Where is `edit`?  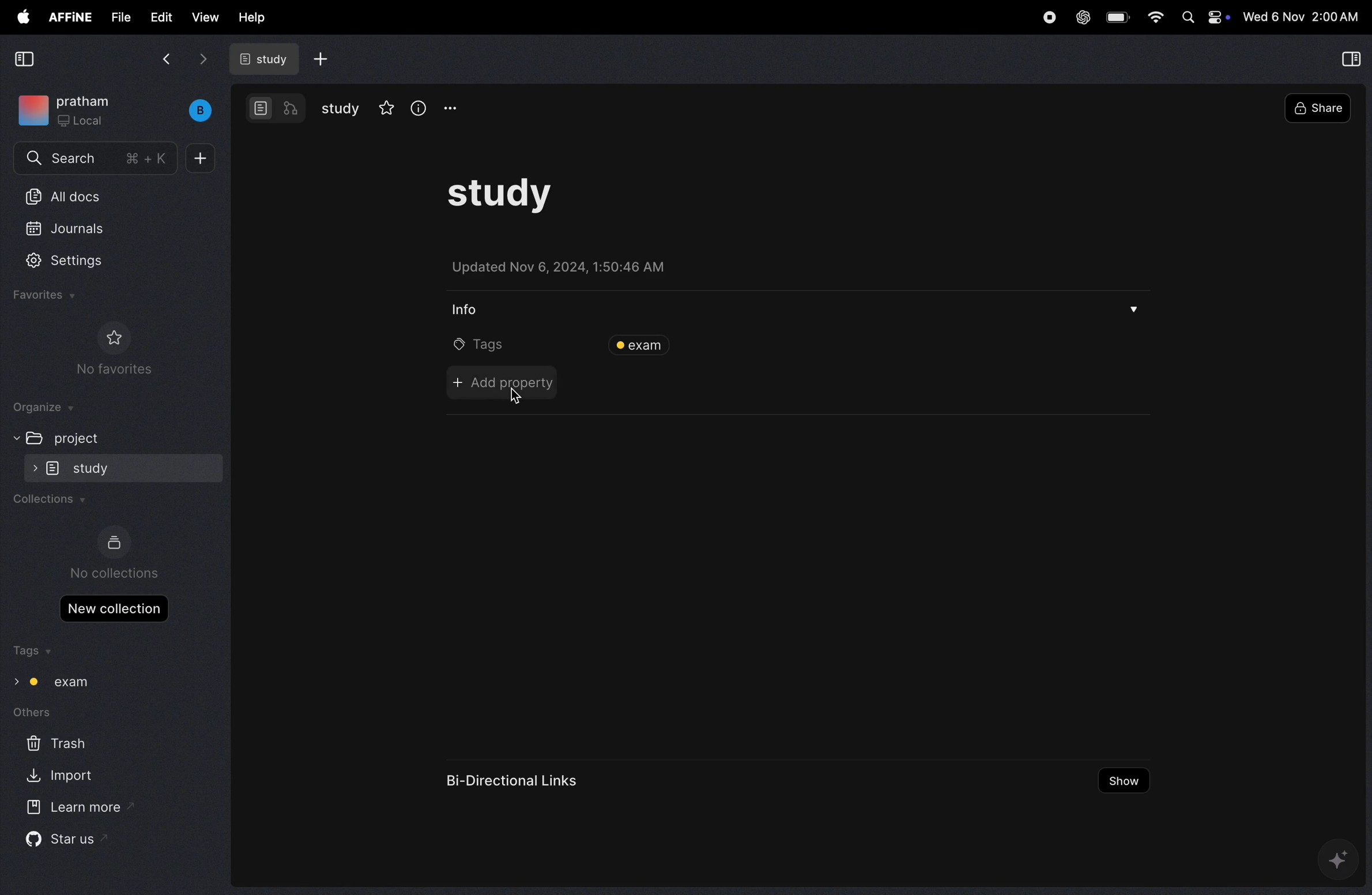 edit is located at coordinates (161, 17).